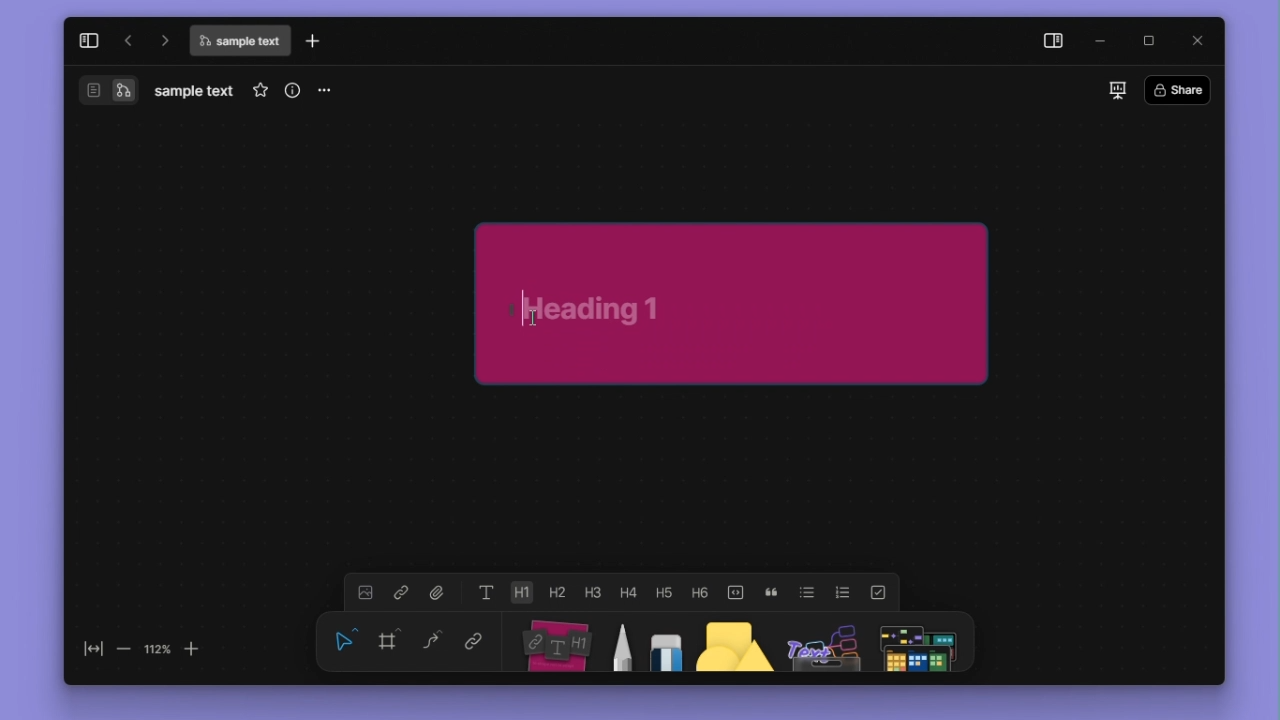 This screenshot has width=1280, height=720. Describe the element at coordinates (666, 642) in the screenshot. I see `eraser` at that location.